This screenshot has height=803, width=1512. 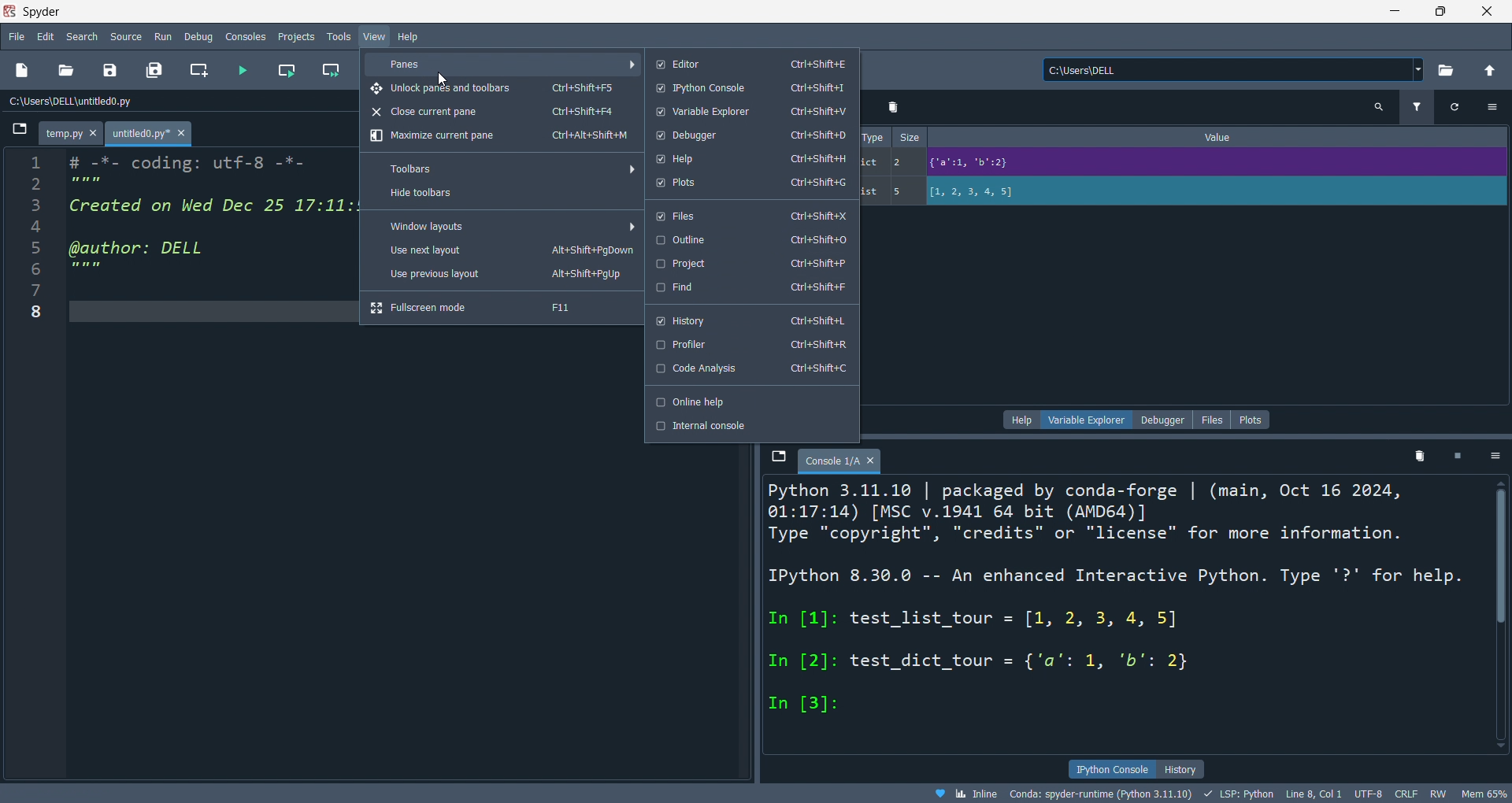 I want to click on delete, so click(x=891, y=105).